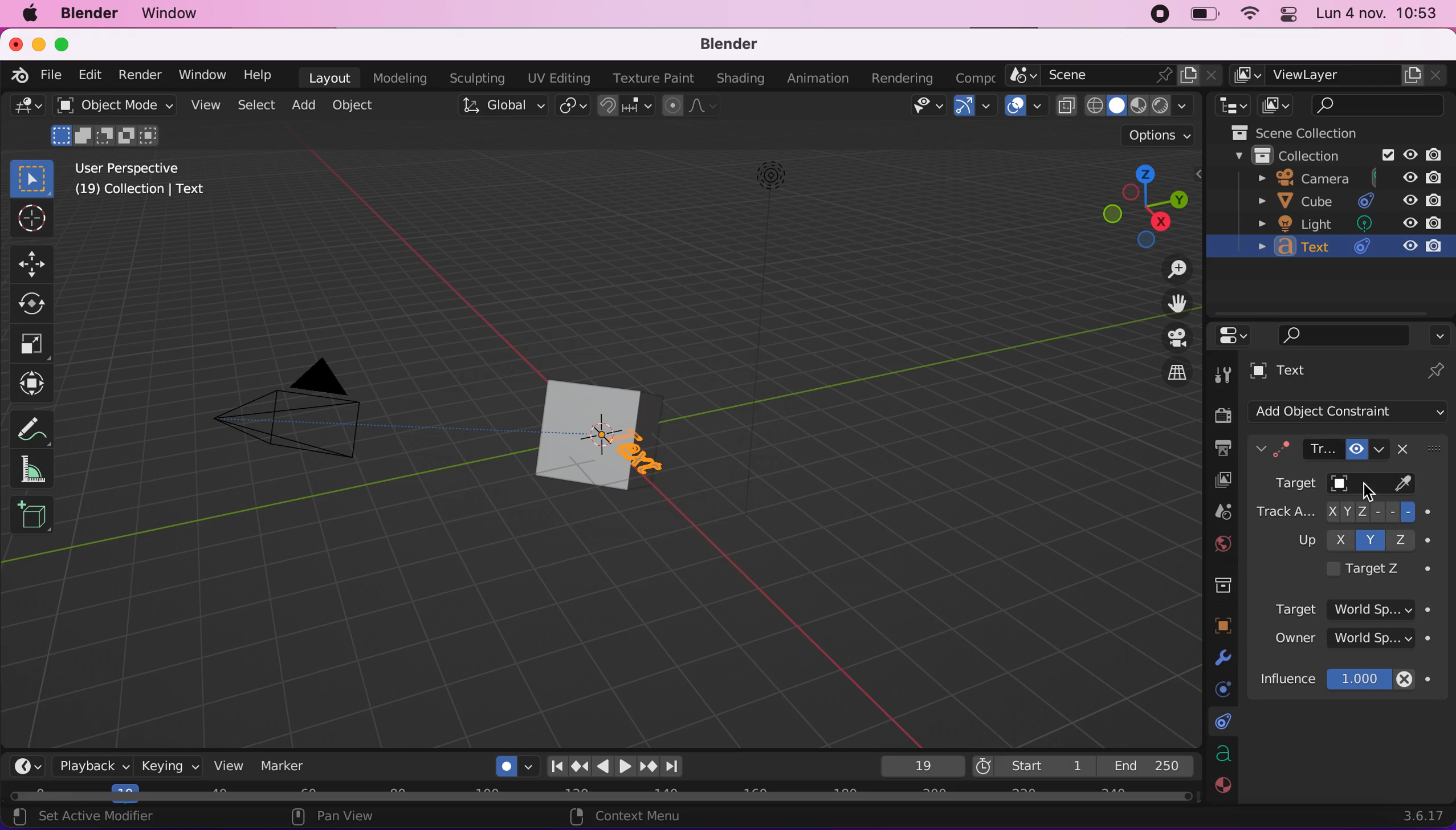 The height and width of the screenshot is (830, 1456). I want to click on collections, so click(1220, 587).